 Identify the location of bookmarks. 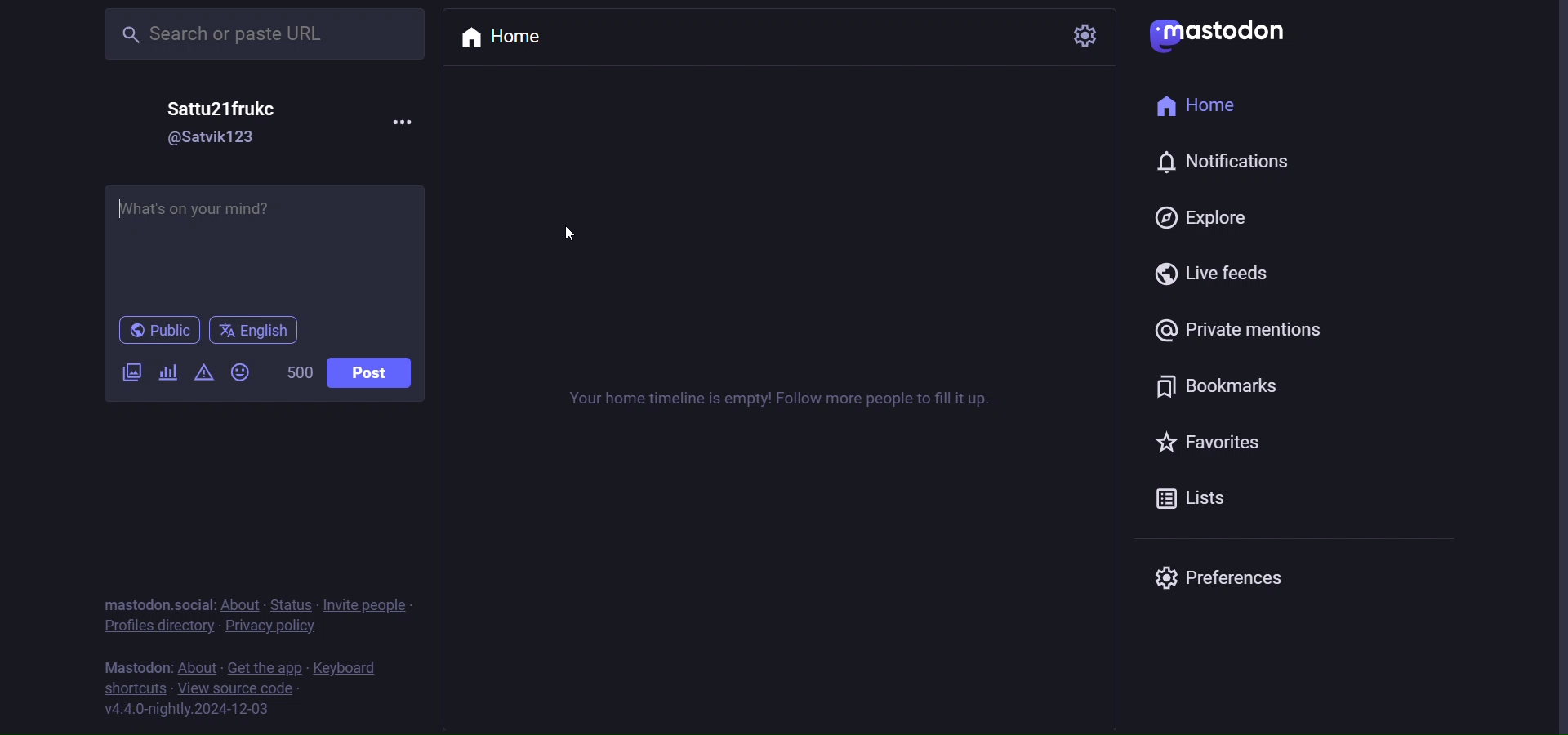
(1223, 387).